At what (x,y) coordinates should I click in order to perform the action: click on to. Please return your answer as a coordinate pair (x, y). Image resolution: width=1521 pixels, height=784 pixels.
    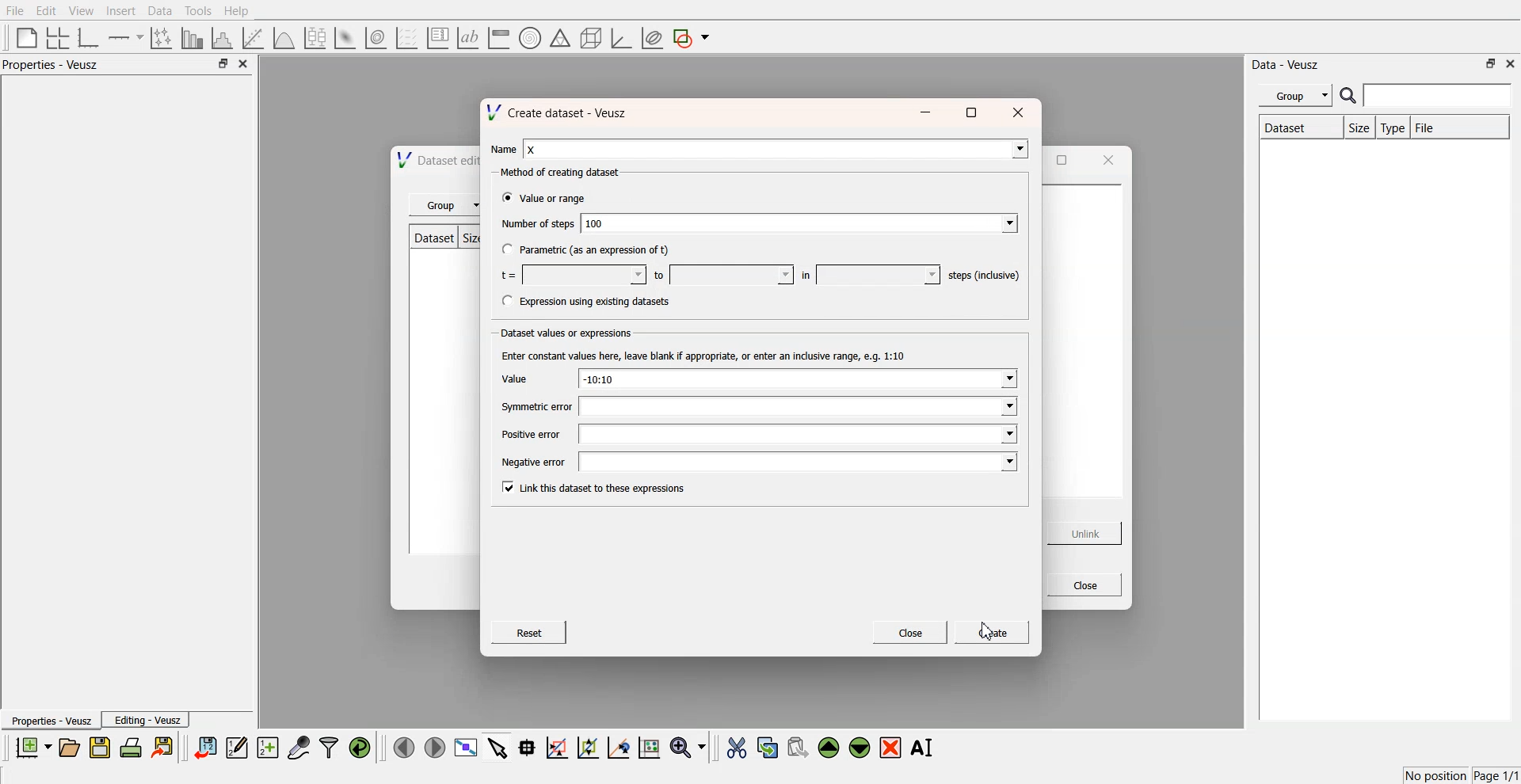
    Looking at the image, I should click on (659, 276).